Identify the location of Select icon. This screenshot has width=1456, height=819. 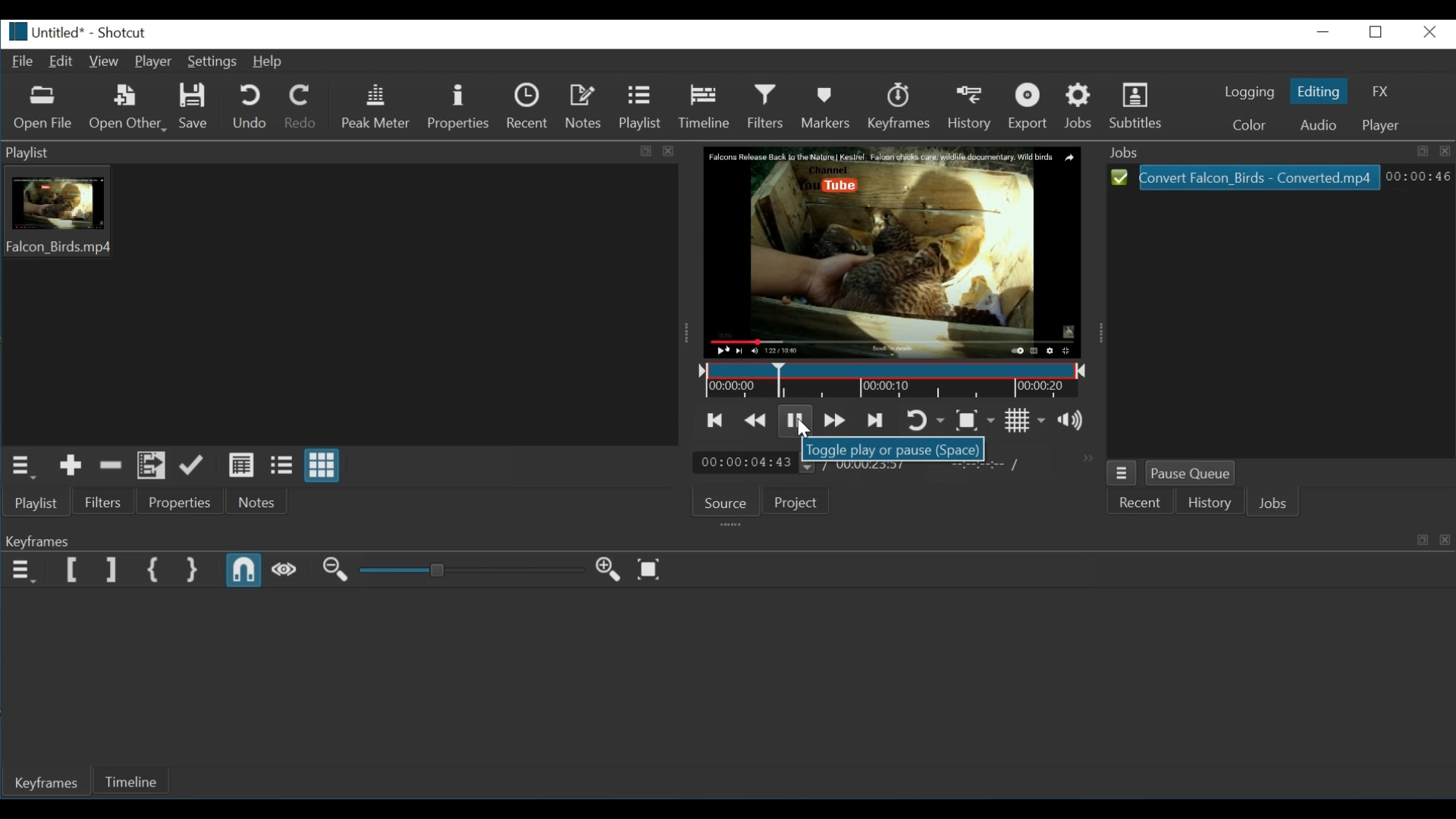
(1119, 178).